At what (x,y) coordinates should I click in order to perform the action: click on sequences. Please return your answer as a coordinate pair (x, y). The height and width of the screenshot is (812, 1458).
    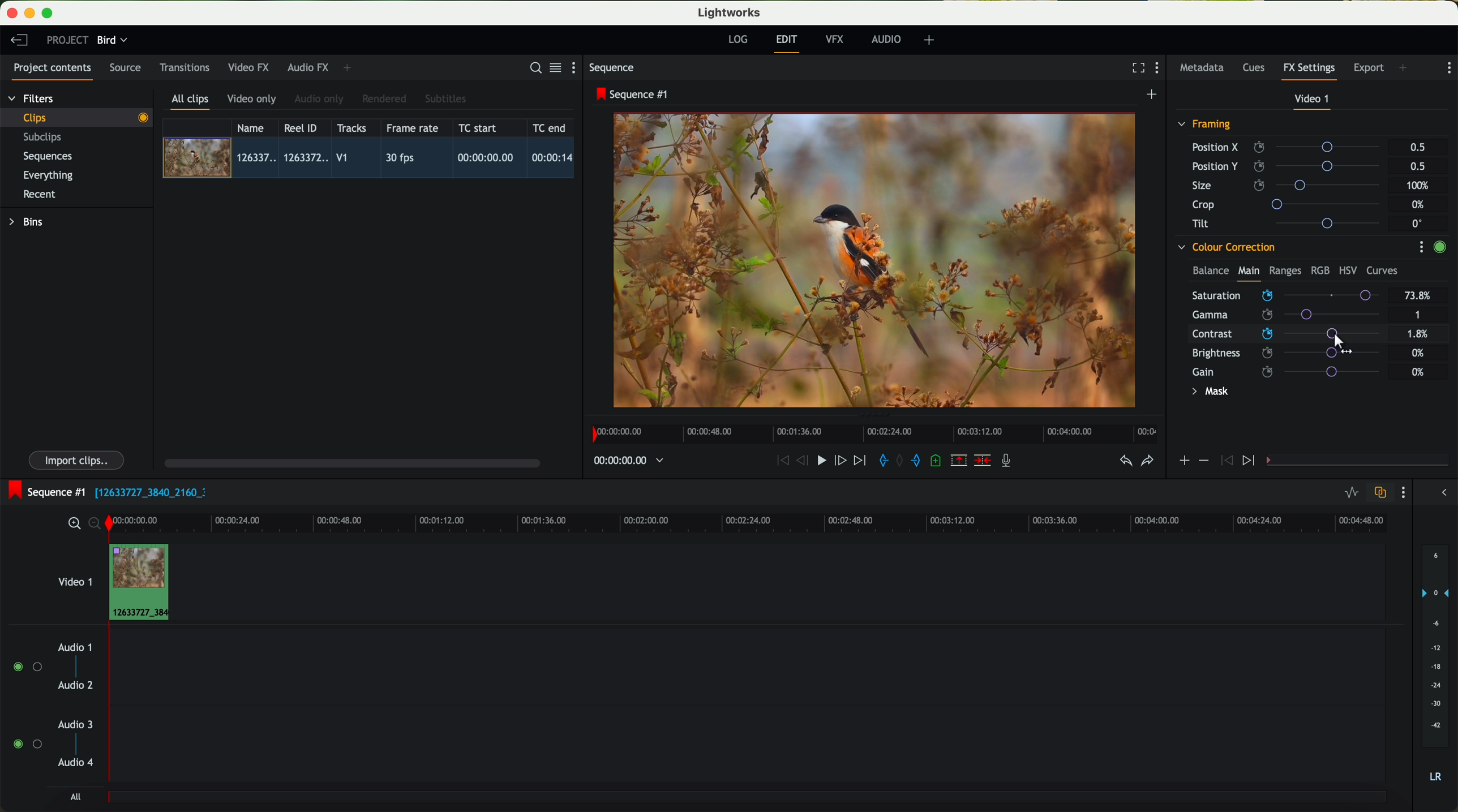
    Looking at the image, I should click on (48, 157).